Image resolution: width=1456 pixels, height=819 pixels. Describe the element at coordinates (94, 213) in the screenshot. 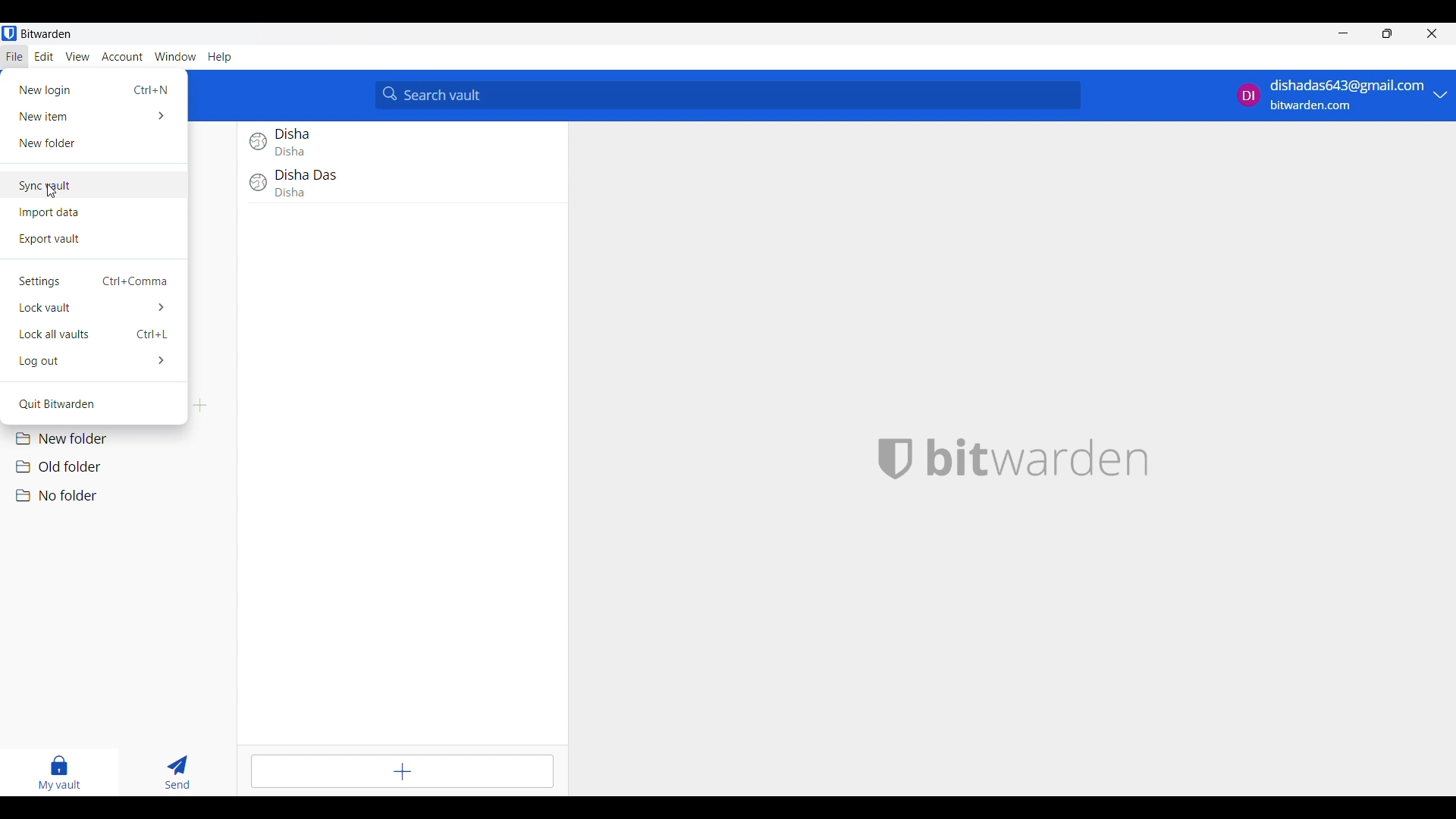

I see `Import data` at that location.